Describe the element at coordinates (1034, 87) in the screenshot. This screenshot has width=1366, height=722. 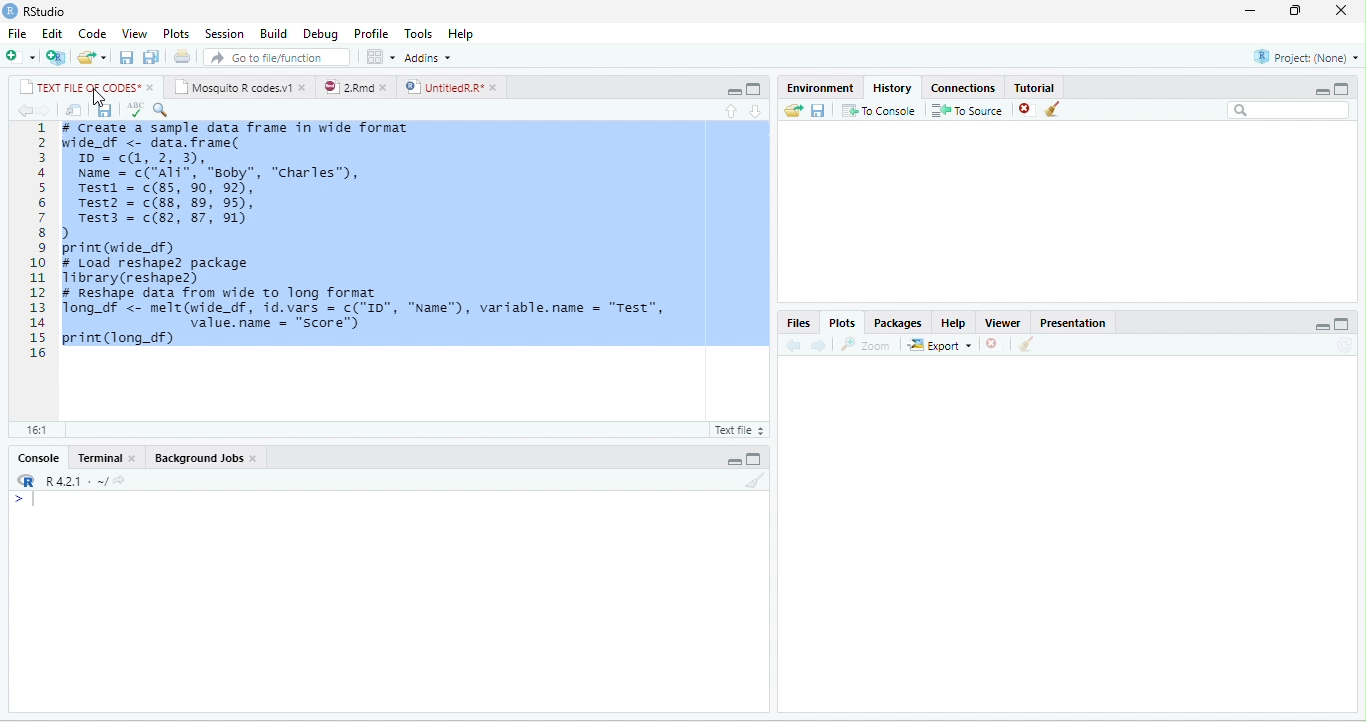
I see `Tutorial` at that location.